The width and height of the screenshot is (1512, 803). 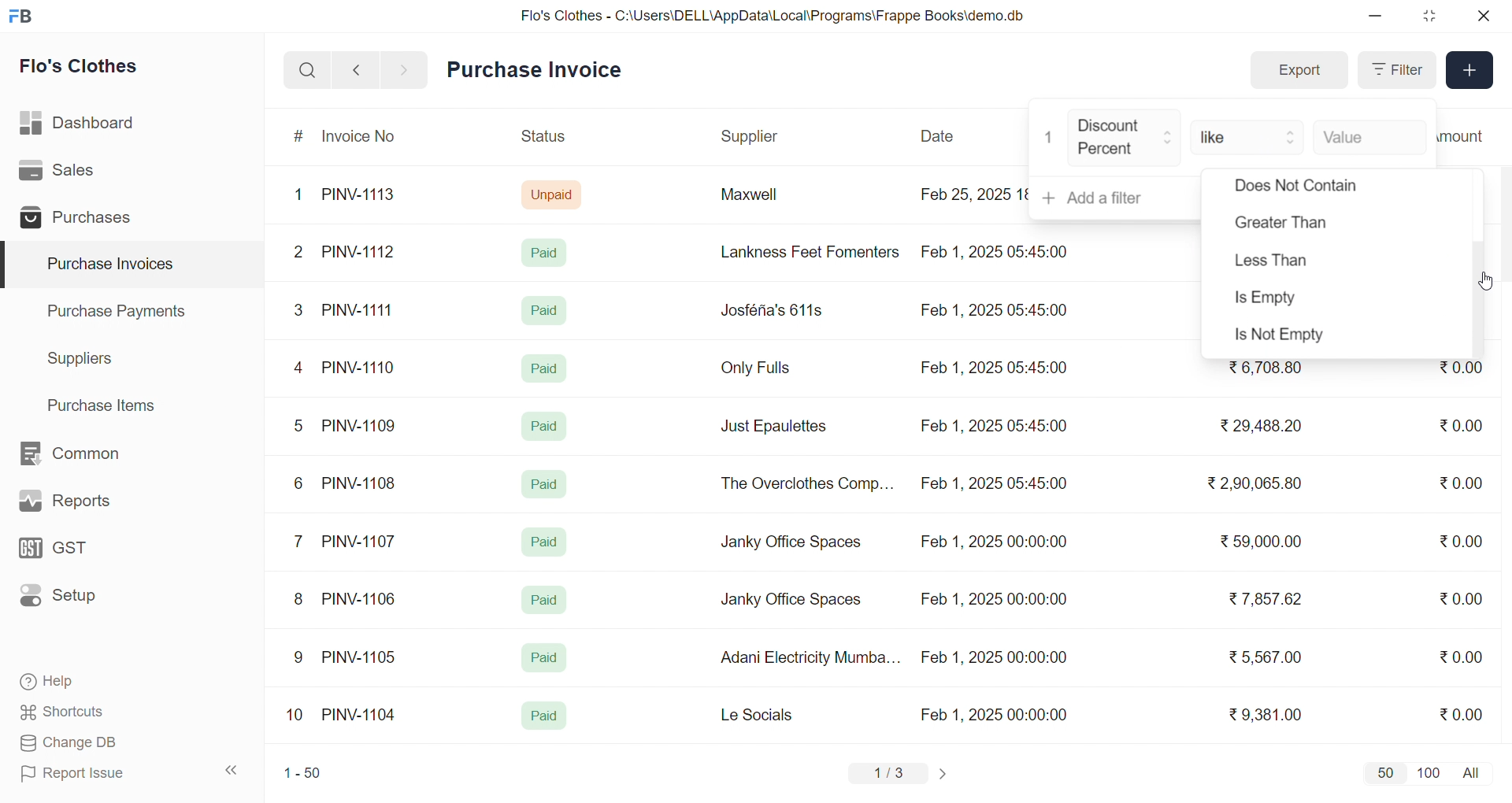 What do you see at coordinates (83, 505) in the screenshot?
I see `Reports` at bounding box center [83, 505].